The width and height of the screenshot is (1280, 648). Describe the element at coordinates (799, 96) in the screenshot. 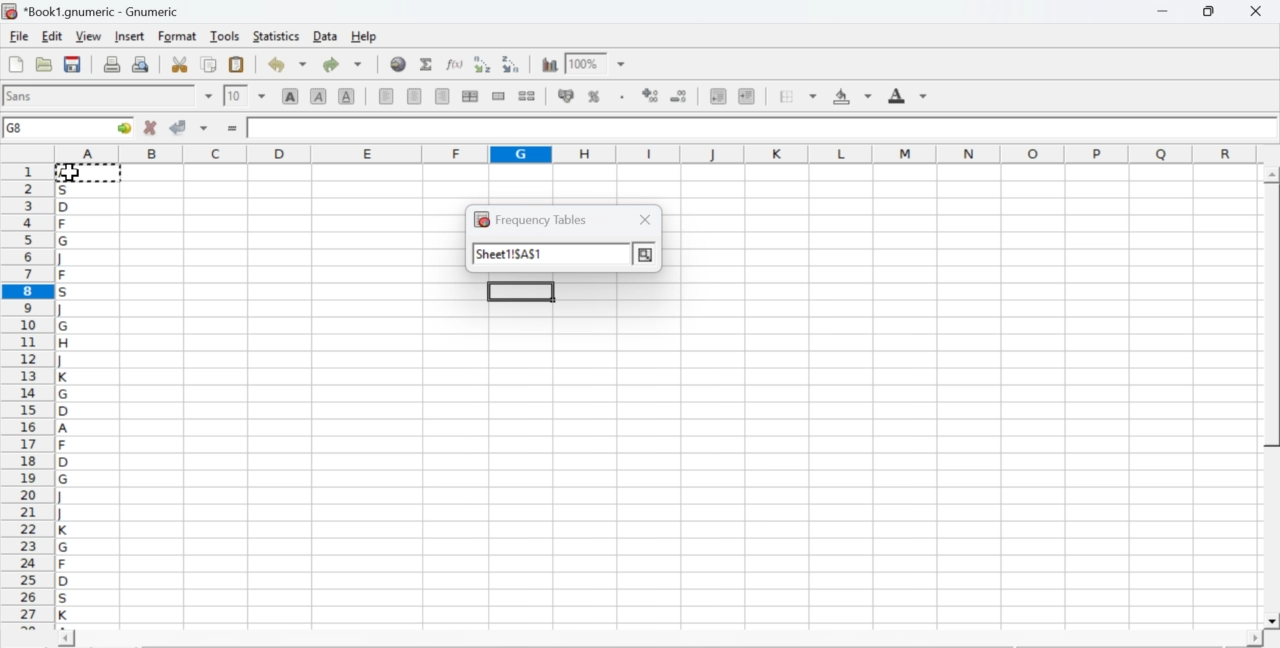

I see `borders` at that location.